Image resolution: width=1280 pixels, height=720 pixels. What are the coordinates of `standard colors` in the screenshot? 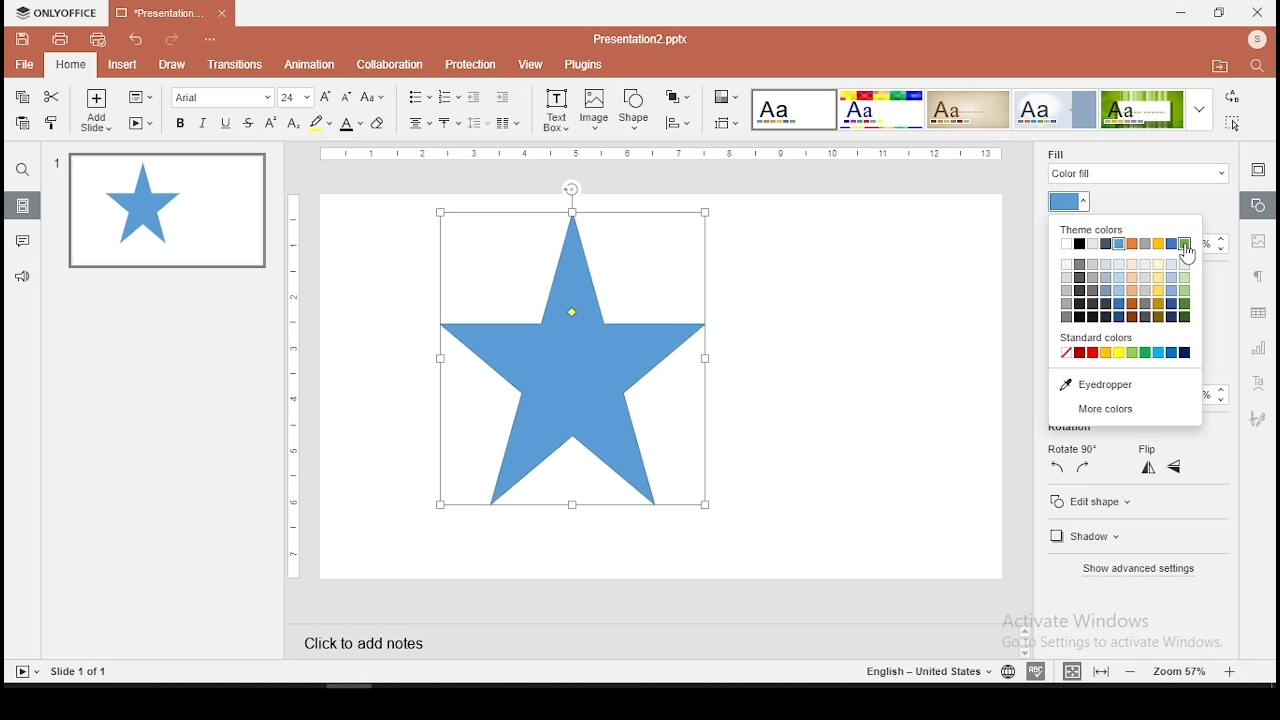 It's located at (1128, 352).